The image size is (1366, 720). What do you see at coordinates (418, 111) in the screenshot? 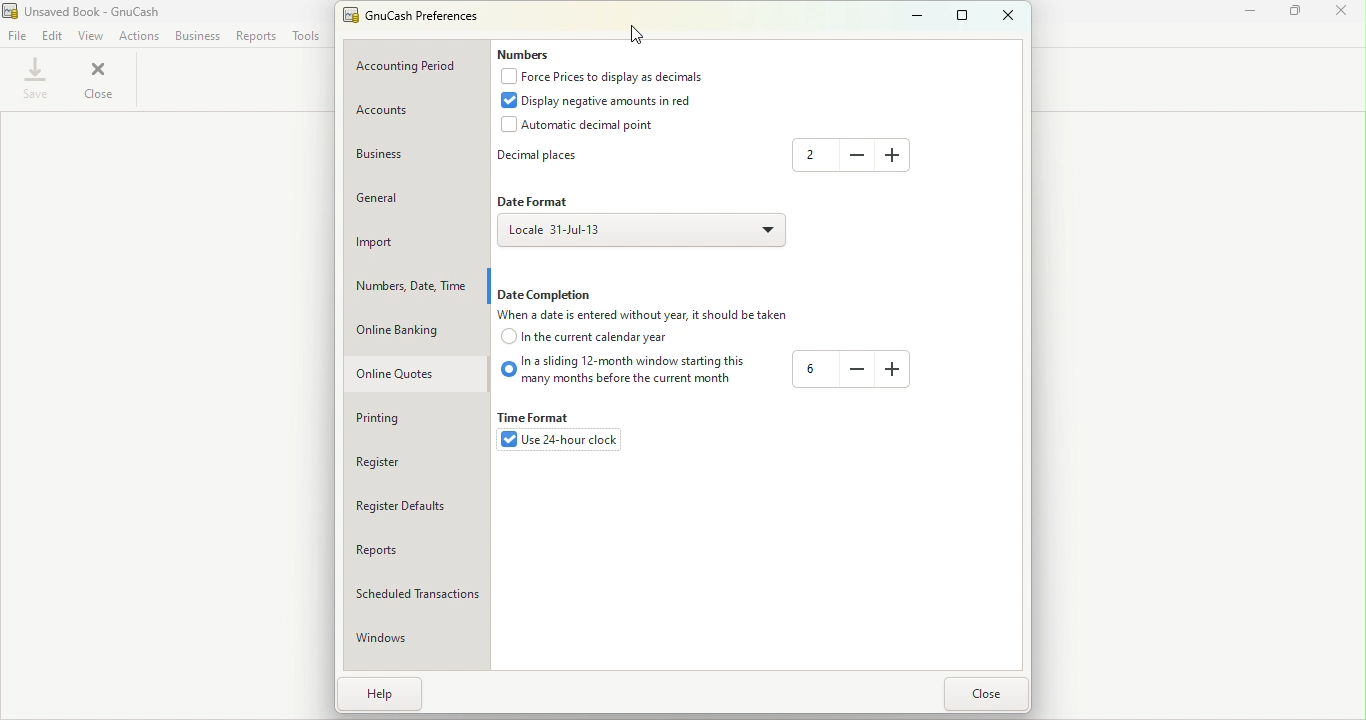
I see `Account` at bounding box center [418, 111].